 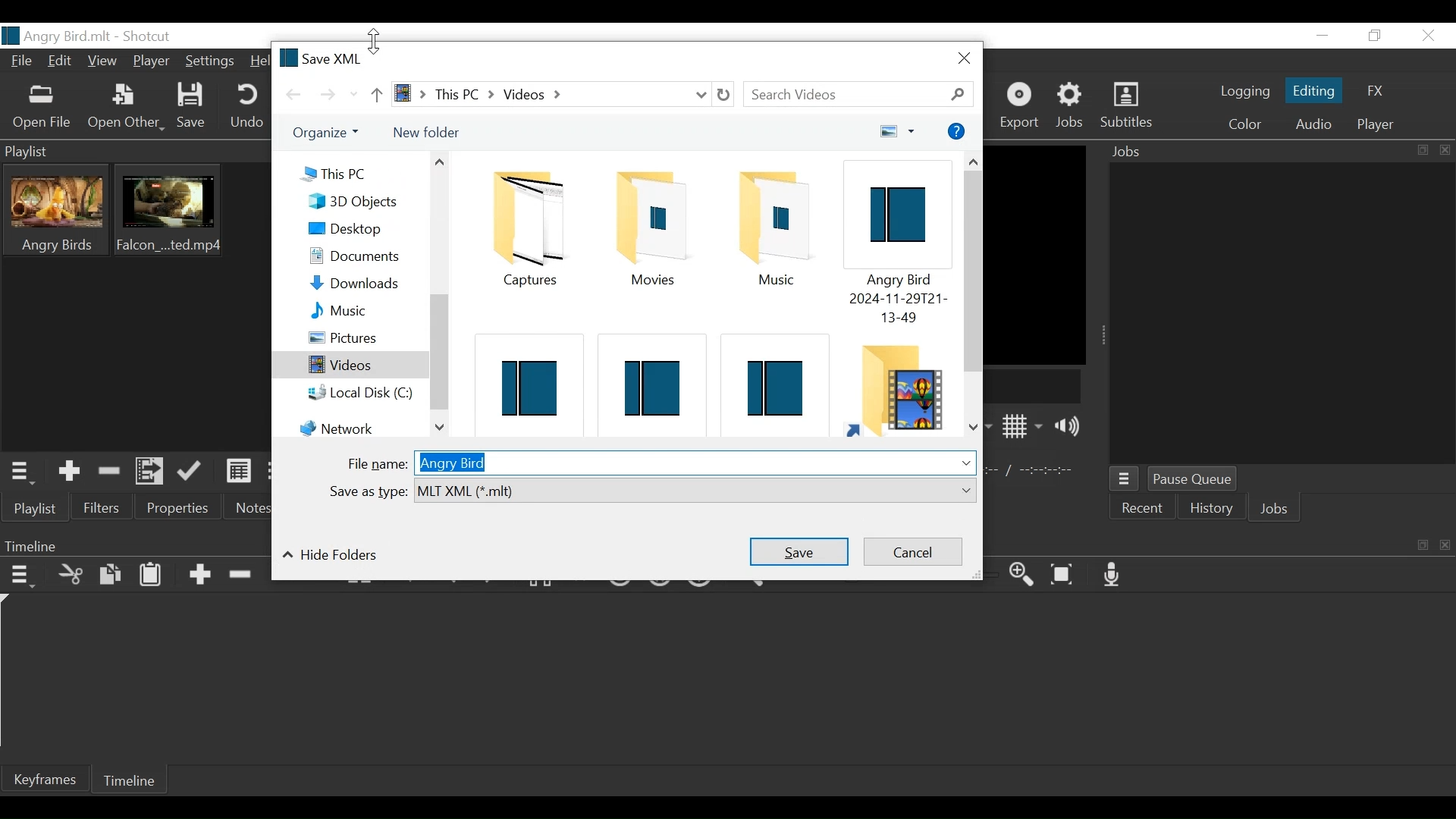 I want to click on History, so click(x=1213, y=510).